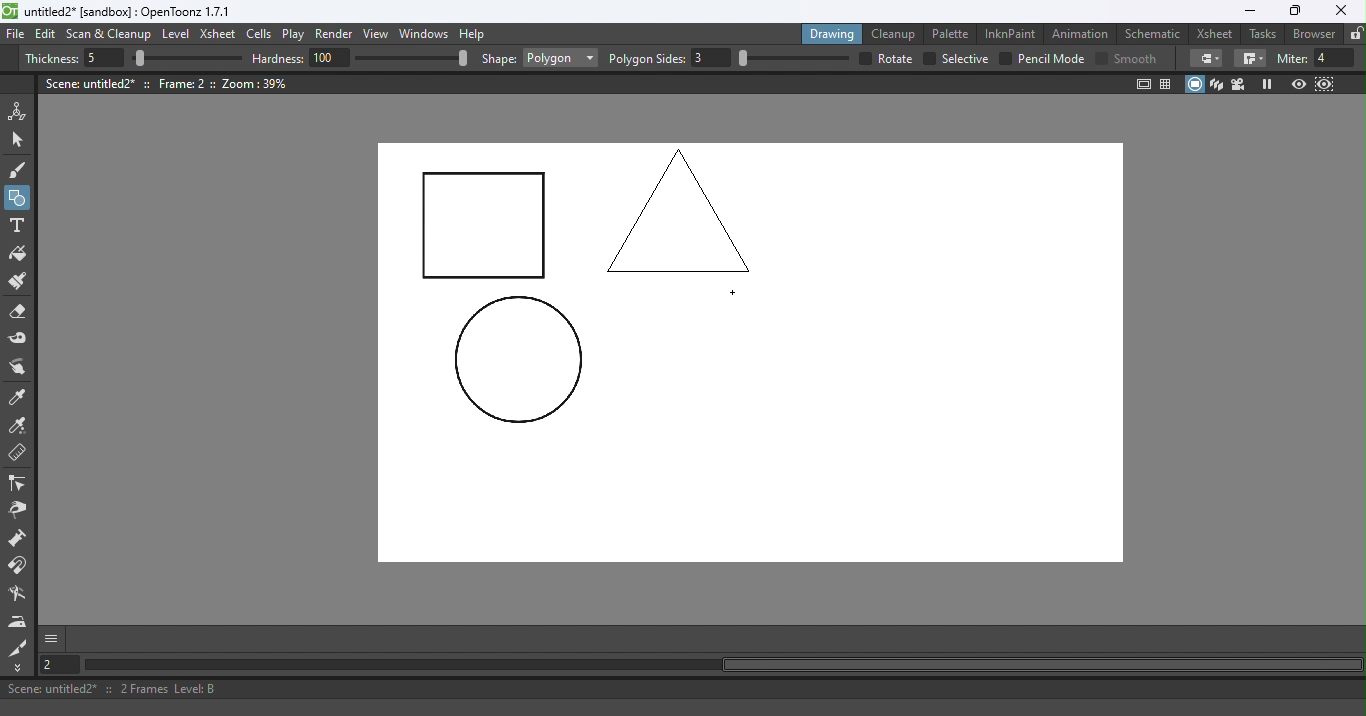  What do you see at coordinates (475, 33) in the screenshot?
I see `Help` at bounding box center [475, 33].